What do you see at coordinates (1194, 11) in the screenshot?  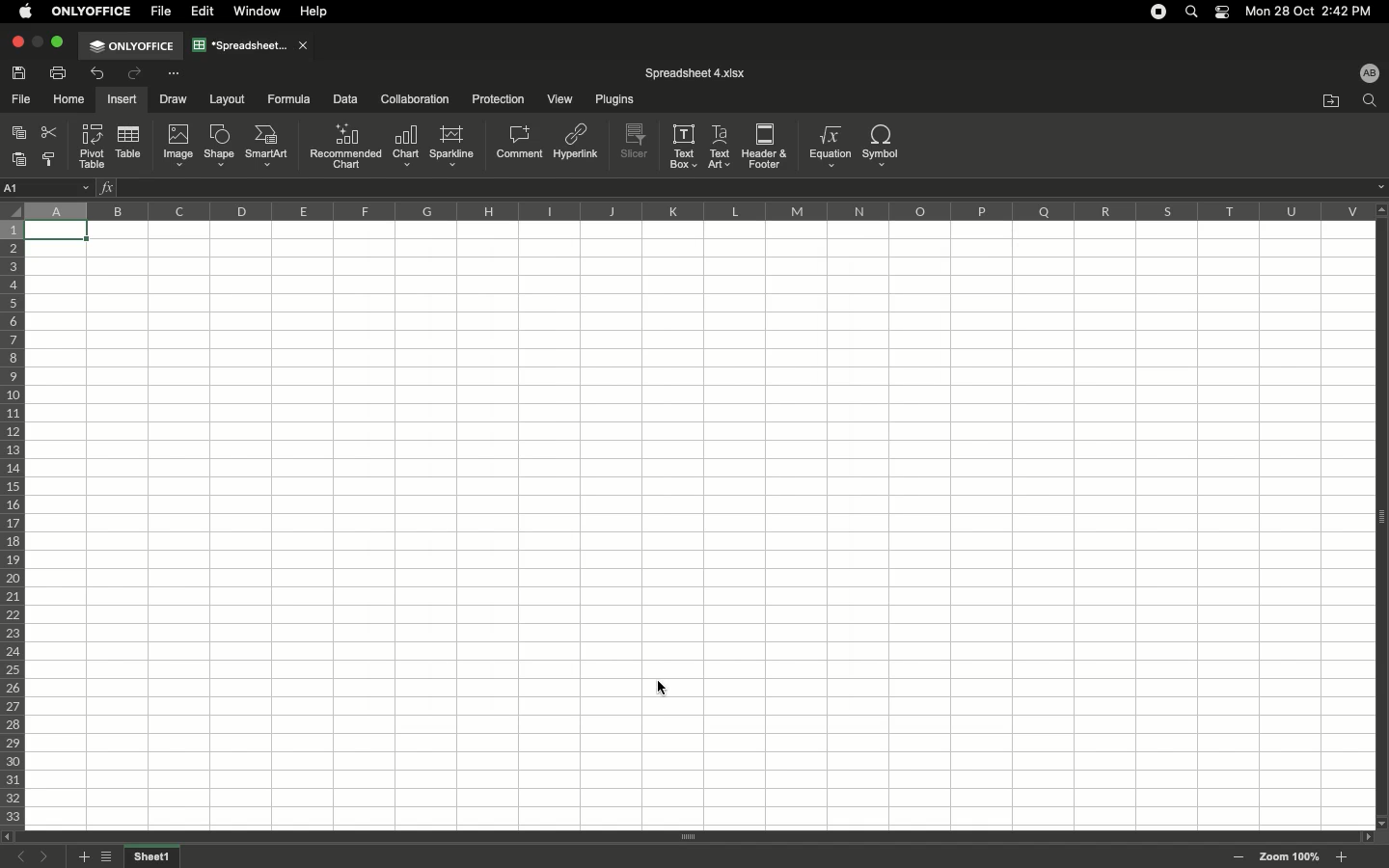 I see `Search` at bounding box center [1194, 11].